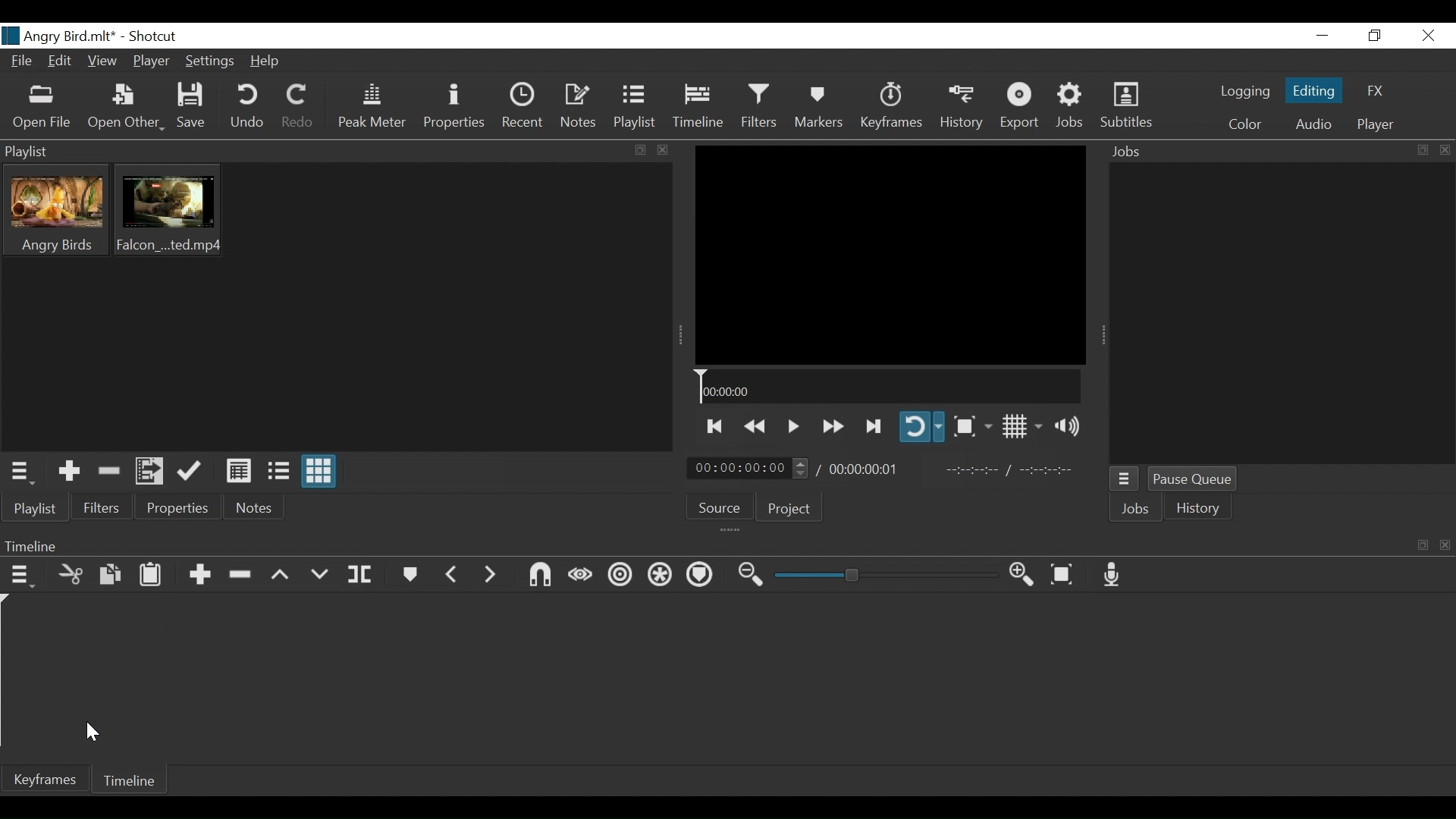 The height and width of the screenshot is (819, 1456). What do you see at coordinates (789, 509) in the screenshot?
I see `Project` at bounding box center [789, 509].